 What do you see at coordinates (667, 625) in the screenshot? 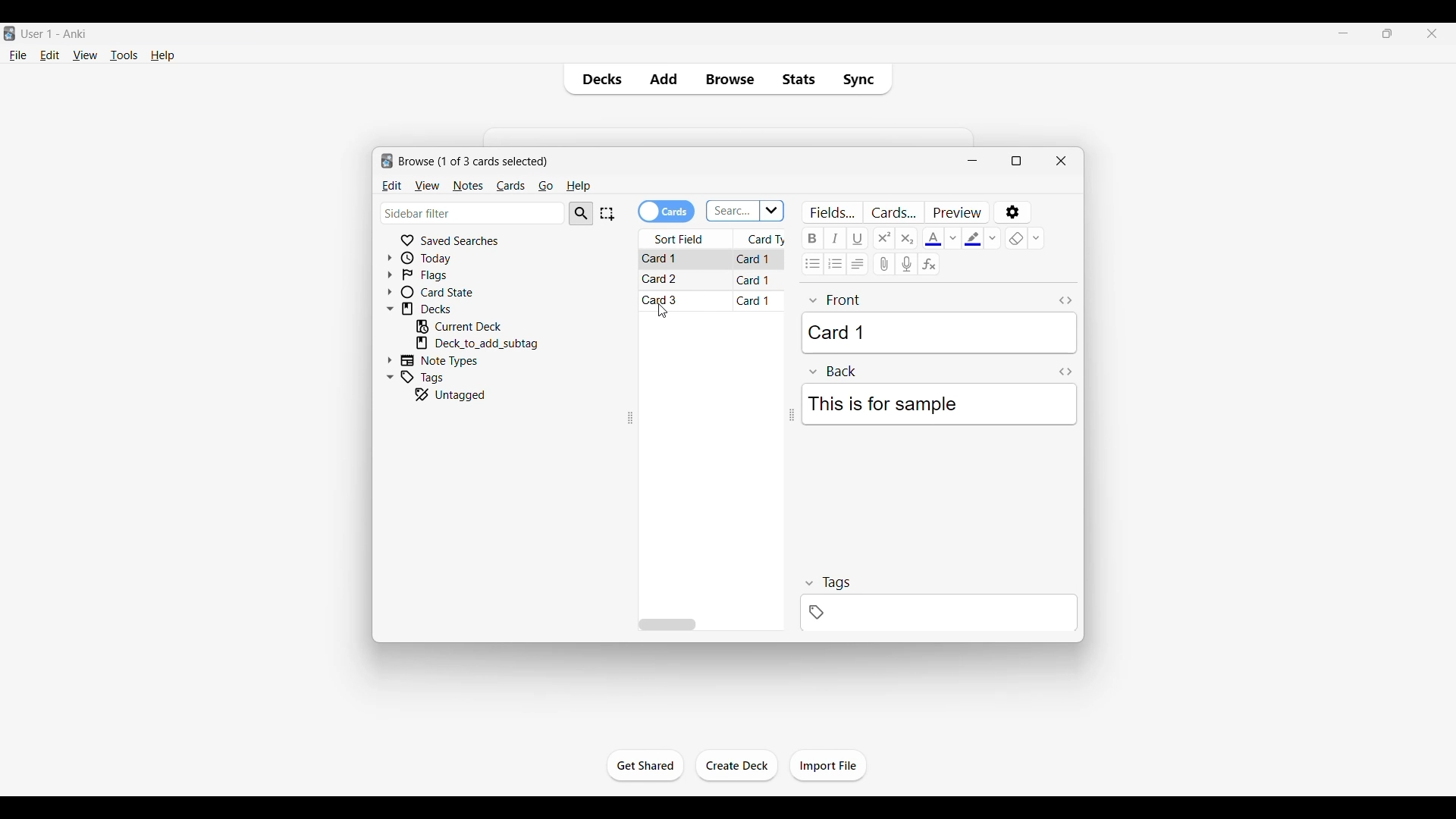
I see `Horizontal slide bar` at bounding box center [667, 625].